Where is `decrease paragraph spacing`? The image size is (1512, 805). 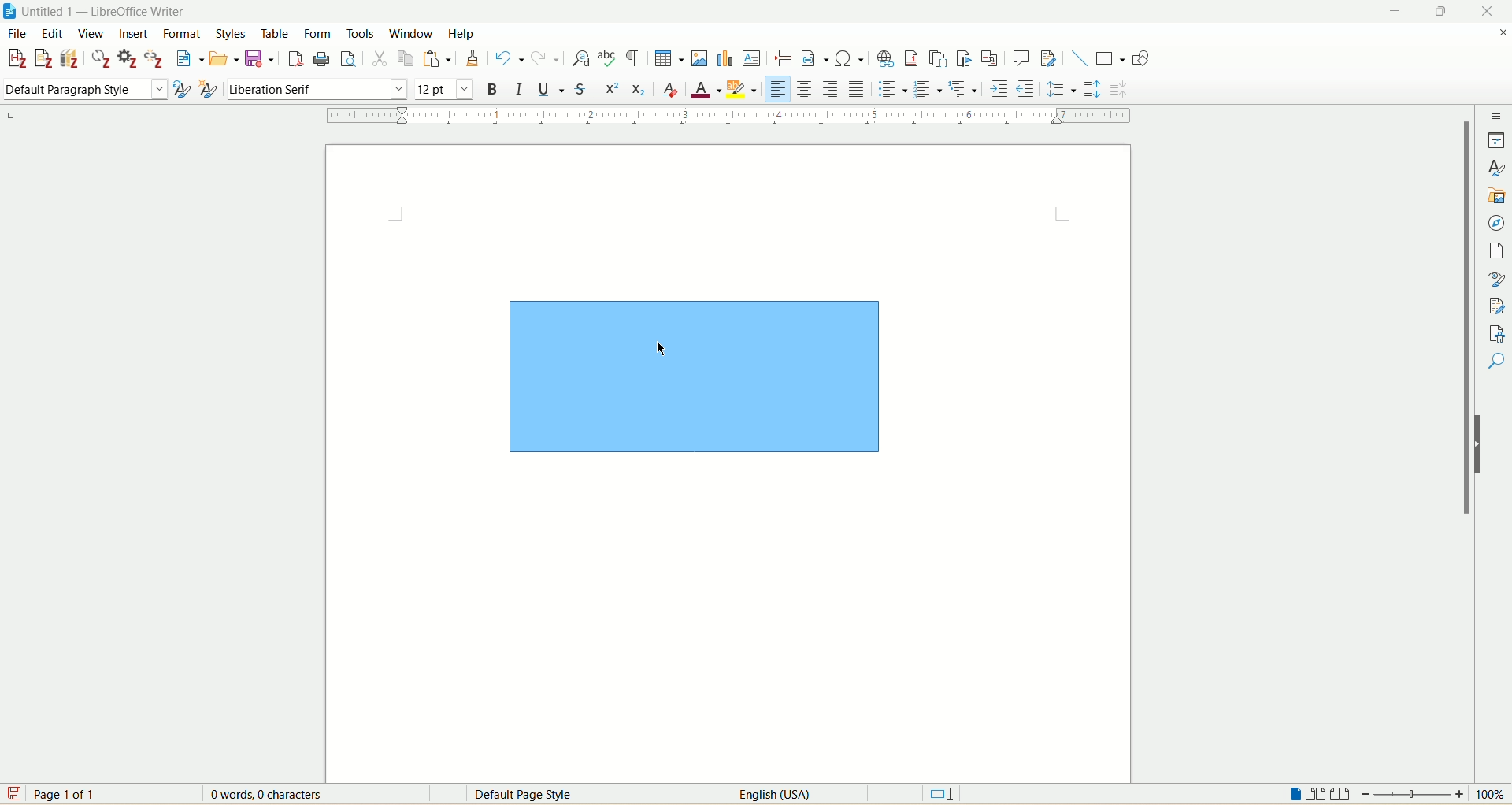
decrease paragraph spacing is located at coordinates (1119, 91).